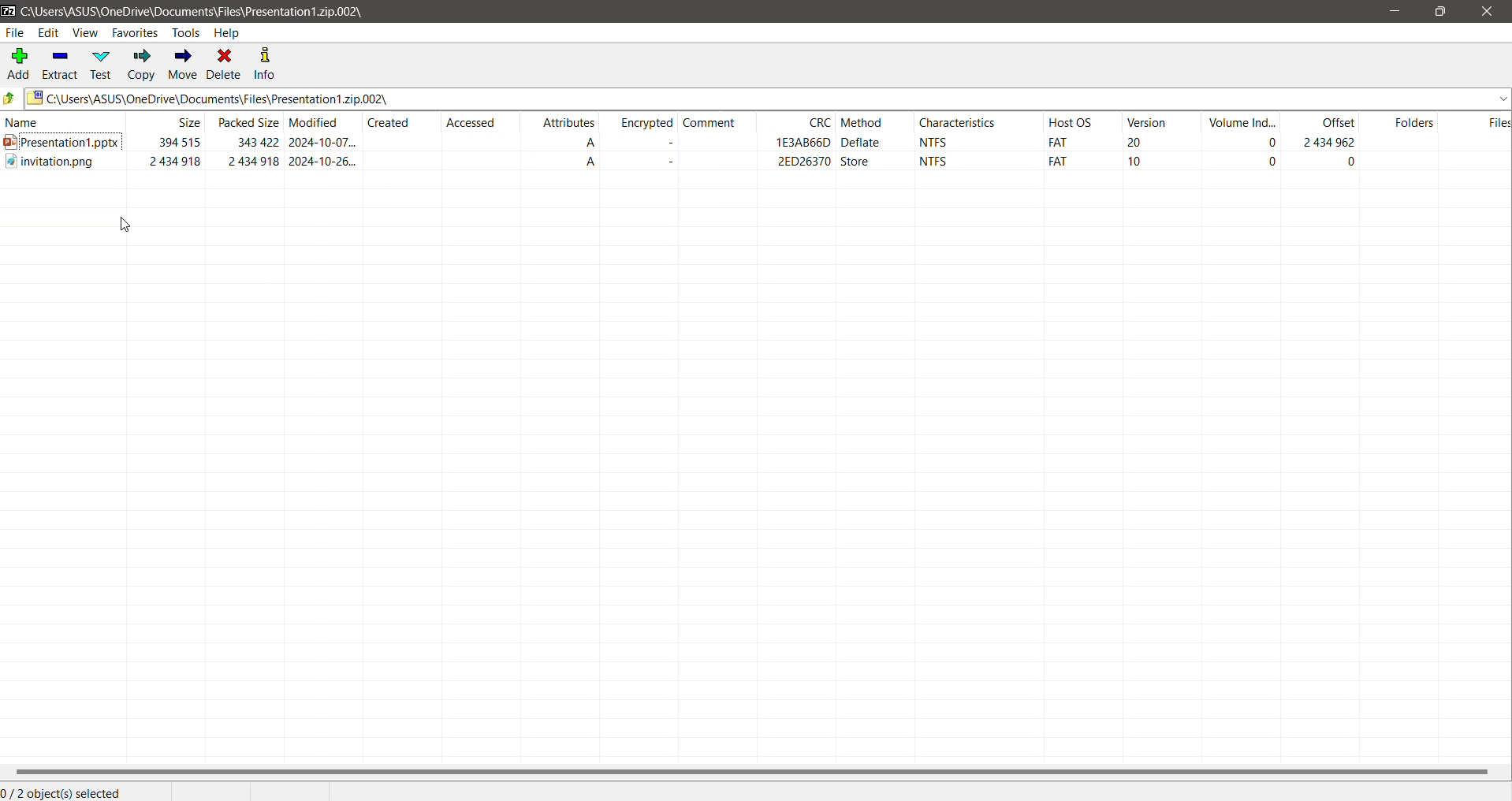 This screenshot has width=1512, height=801. I want to click on  2434962, so click(1333, 143).